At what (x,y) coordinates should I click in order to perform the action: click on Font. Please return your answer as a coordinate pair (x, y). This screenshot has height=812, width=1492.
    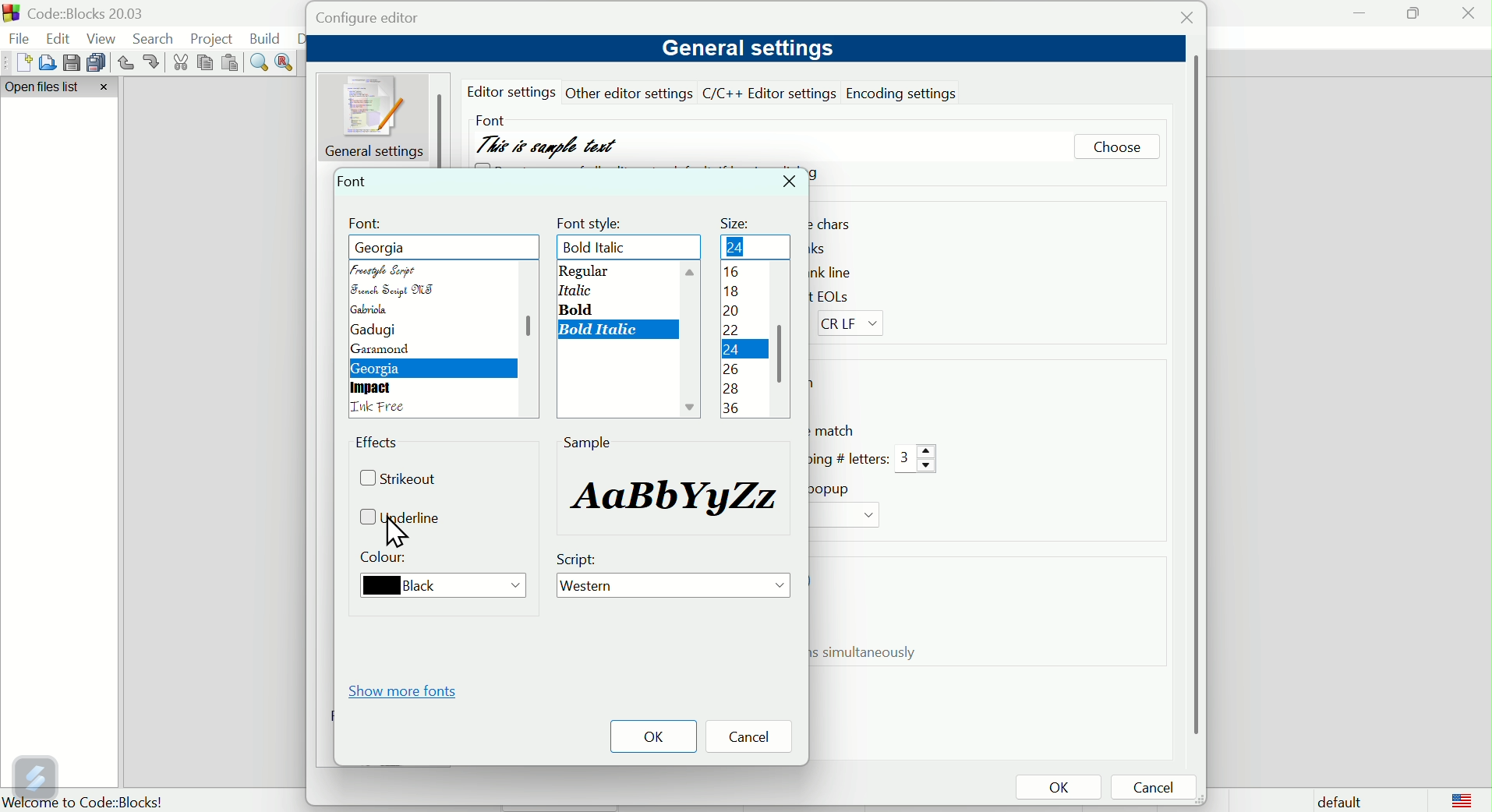
    Looking at the image, I should click on (355, 180).